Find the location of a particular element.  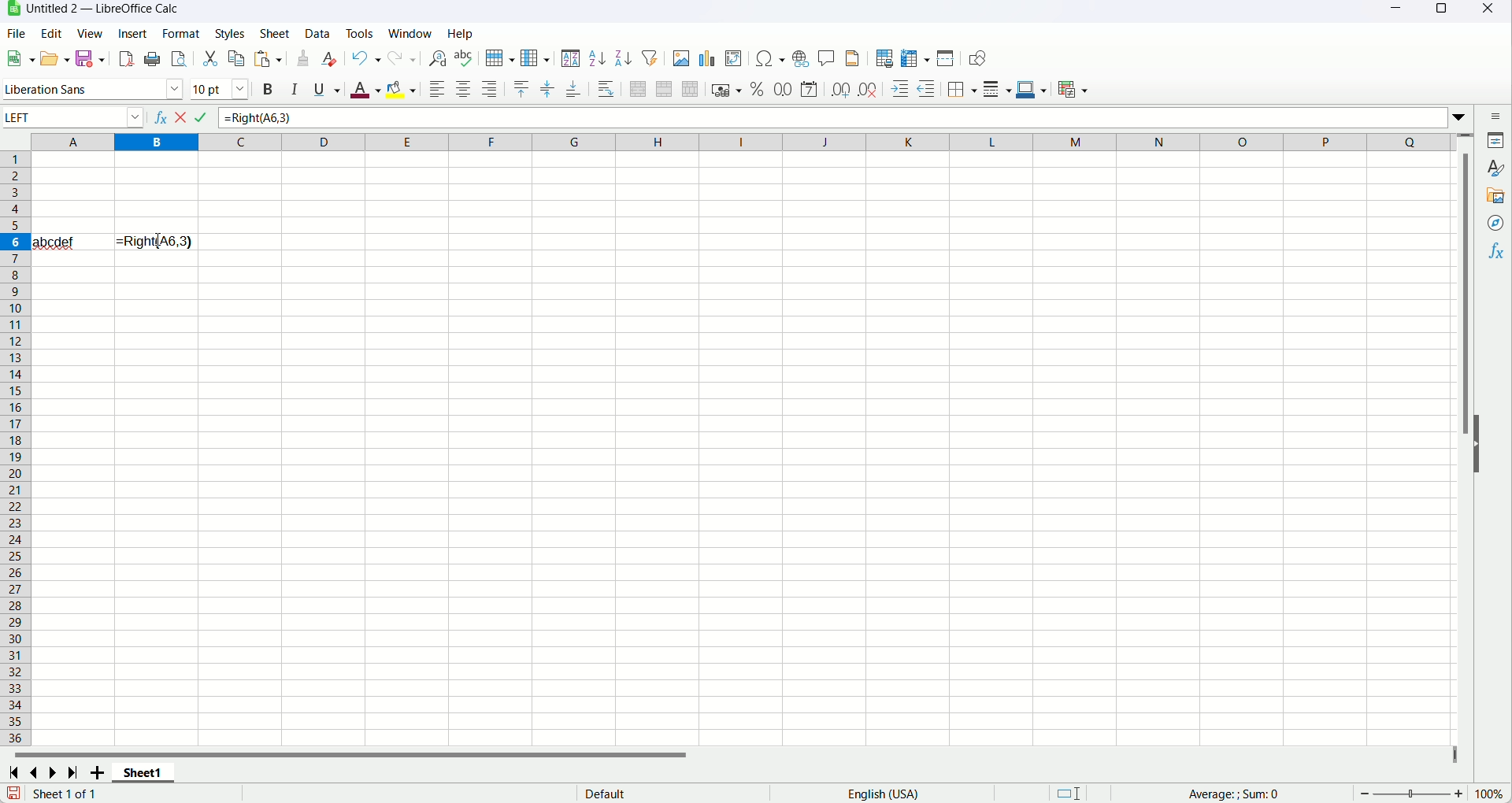

format as percent is located at coordinates (758, 88).